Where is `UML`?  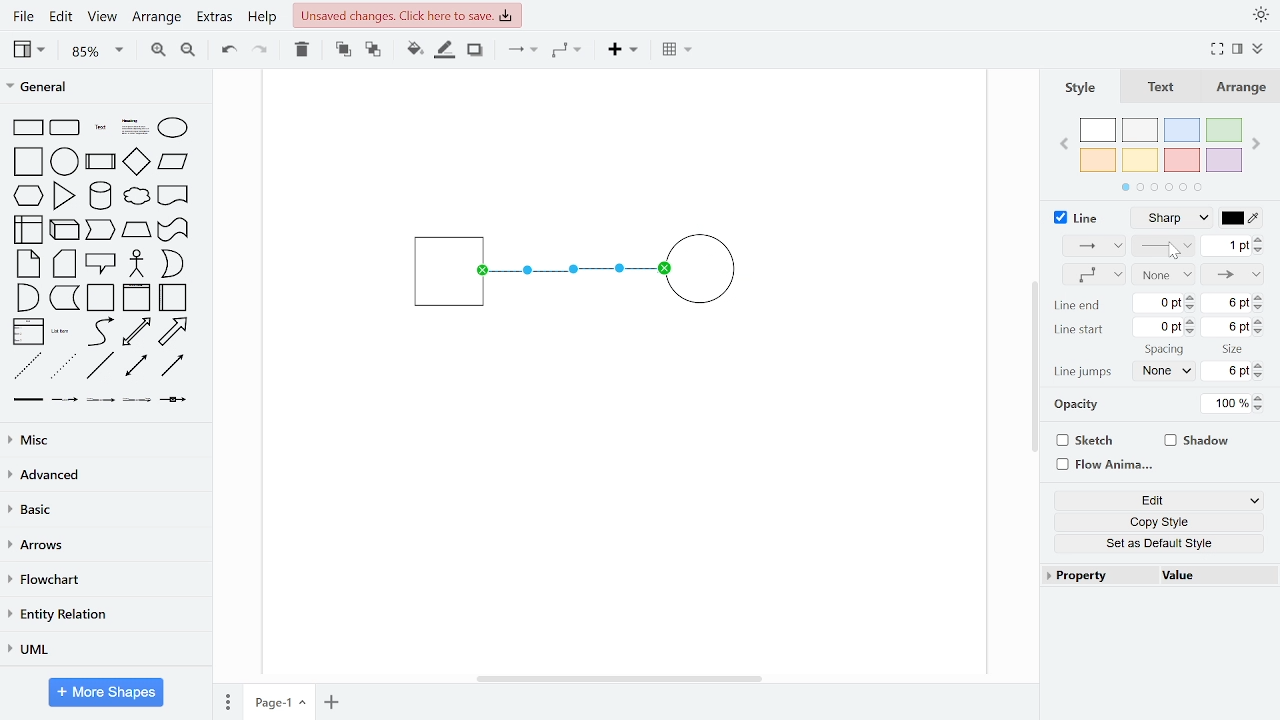
UML is located at coordinates (101, 650).